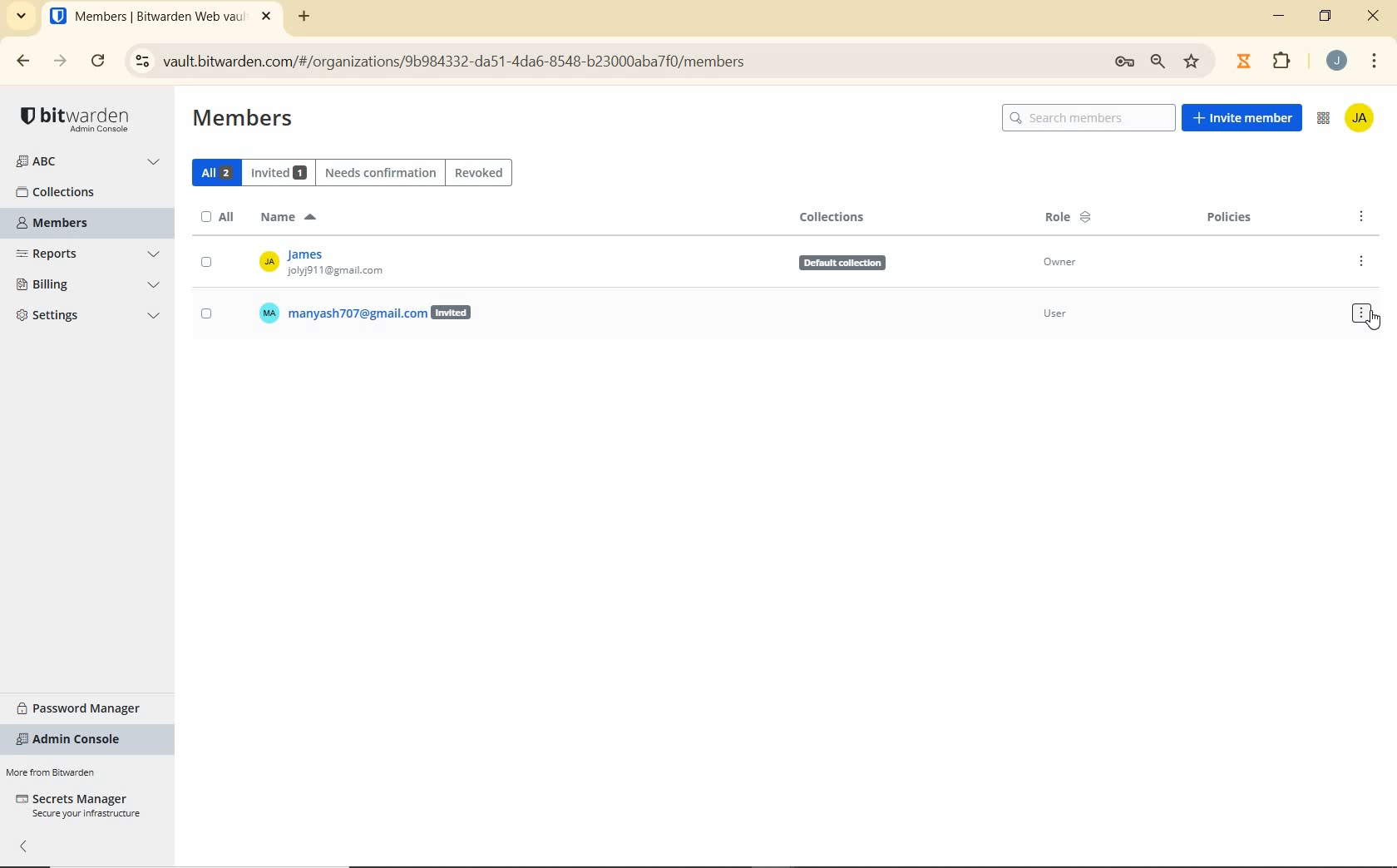 This screenshot has width=1397, height=868. What do you see at coordinates (91, 254) in the screenshot?
I see `REPORTS` at bounding box center [91, 254].